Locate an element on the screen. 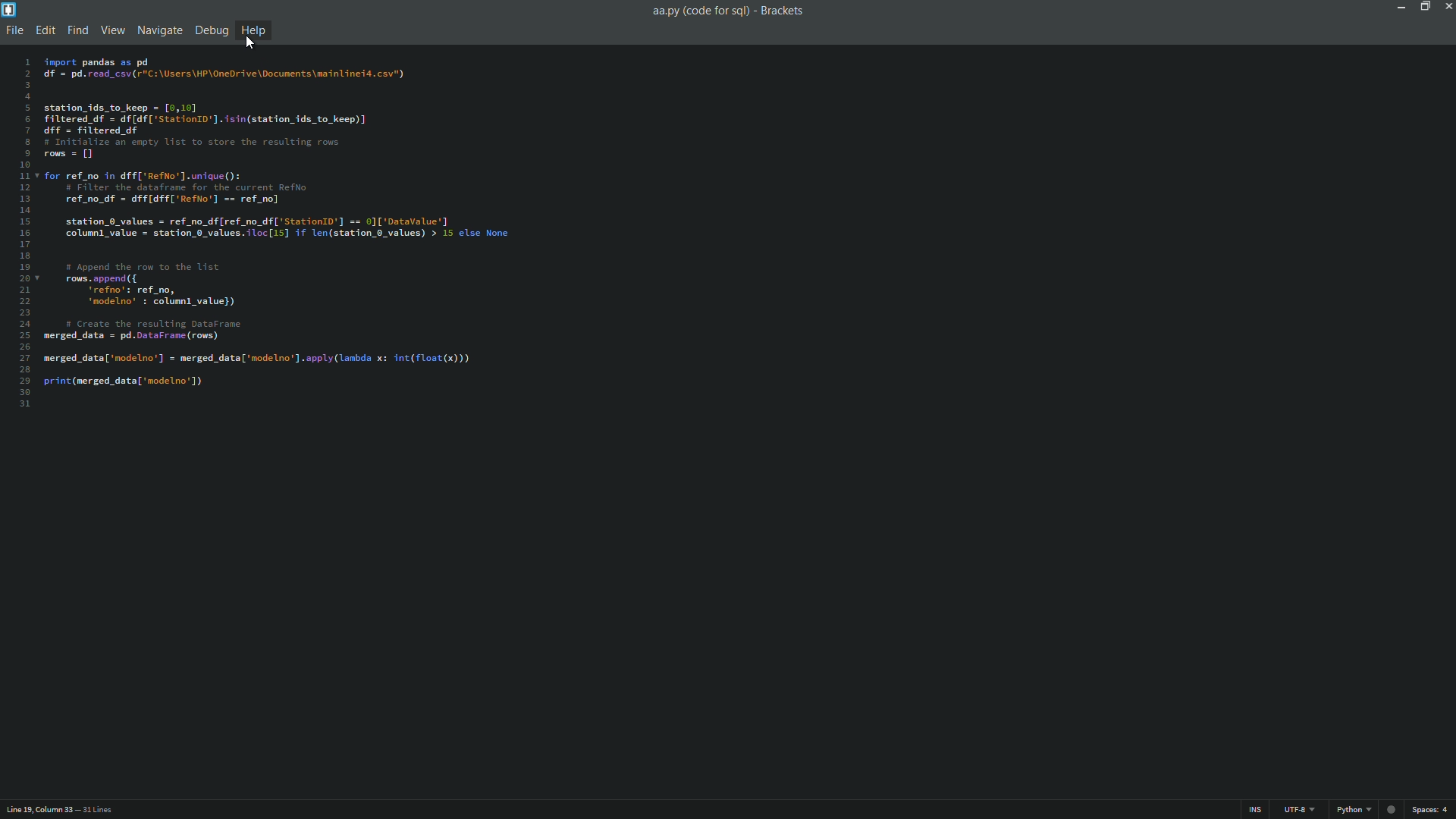 The image size is (1456, 819). edit menu is located at coordinates (44, 31).